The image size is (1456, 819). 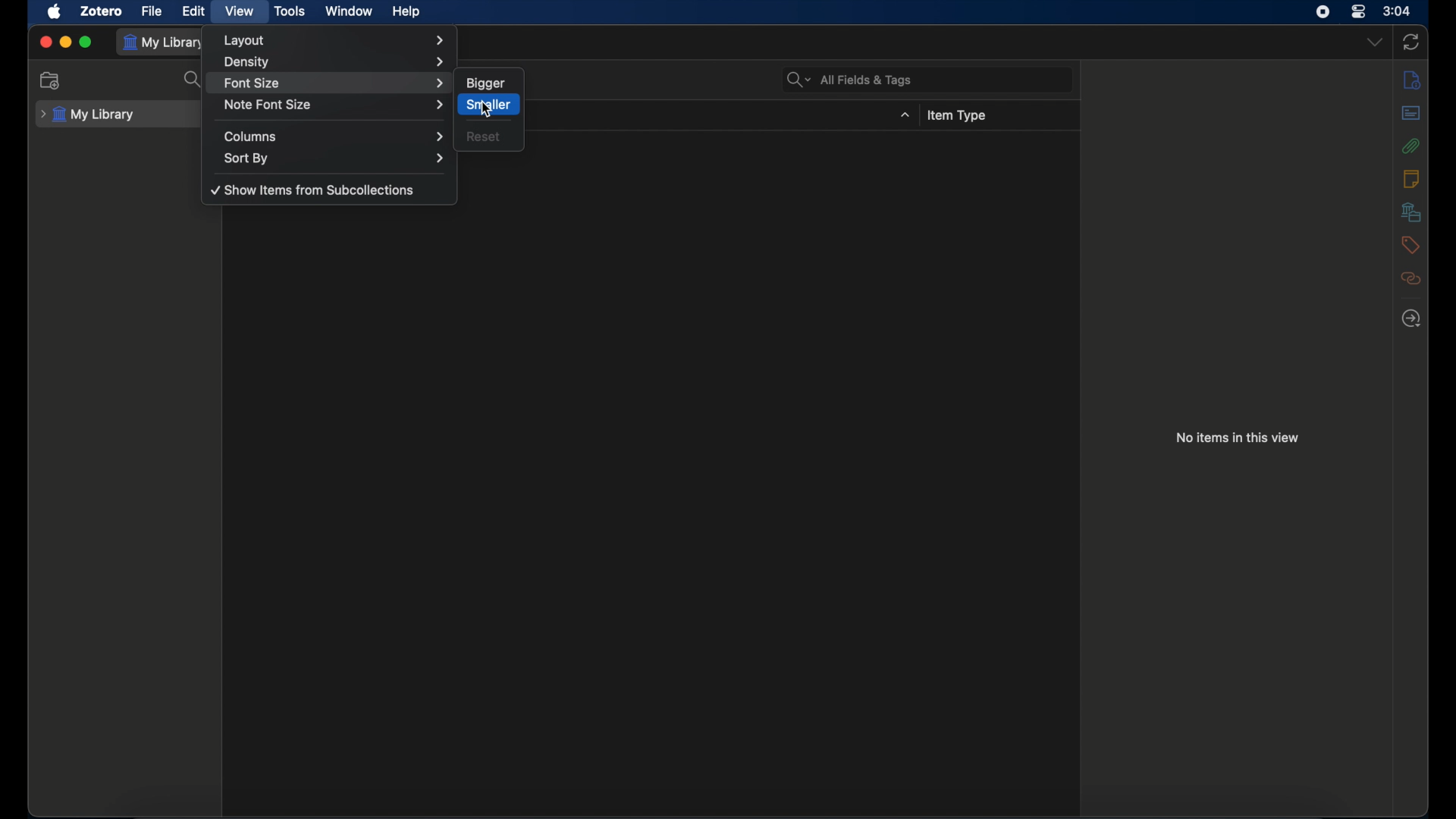 What do you see at coordinates (1410, 278) in the screenshot?
I see `related` at bounding box center [1410, 278].